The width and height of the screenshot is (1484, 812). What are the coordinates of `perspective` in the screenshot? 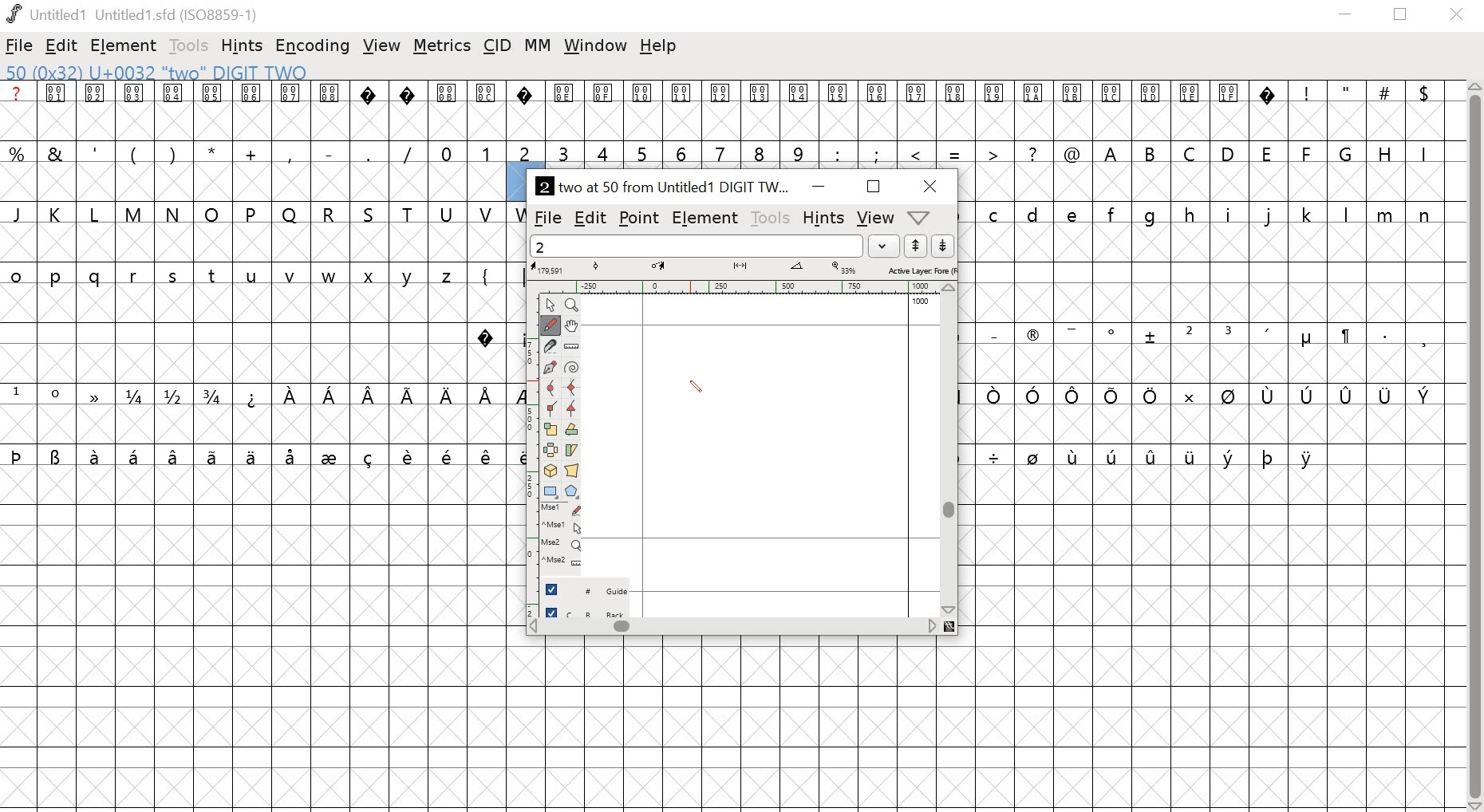 It's located at (572, 472).